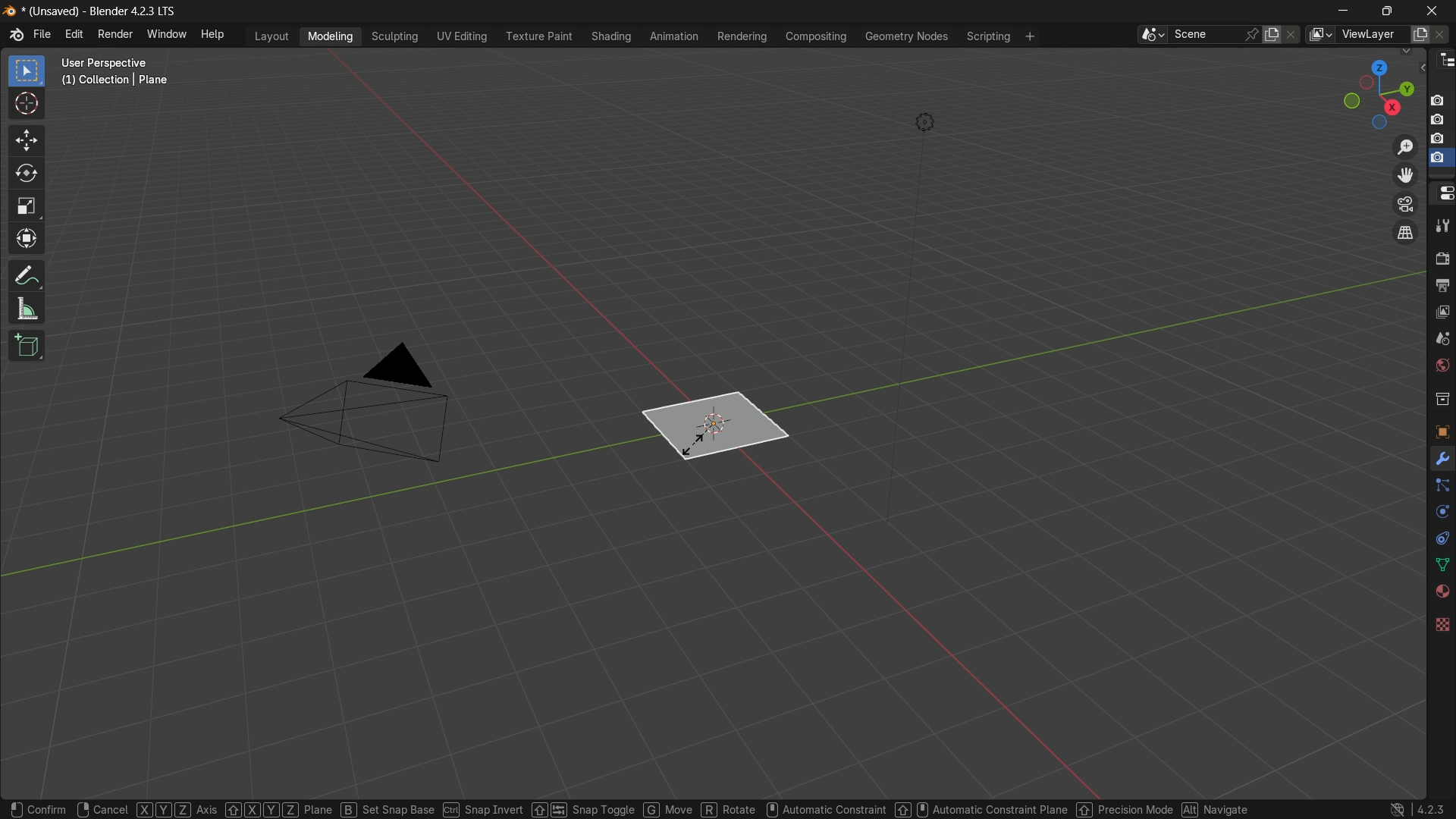  Describe the element at coordinates (26, 276) in the screenshot. I see `annotate` at that location.